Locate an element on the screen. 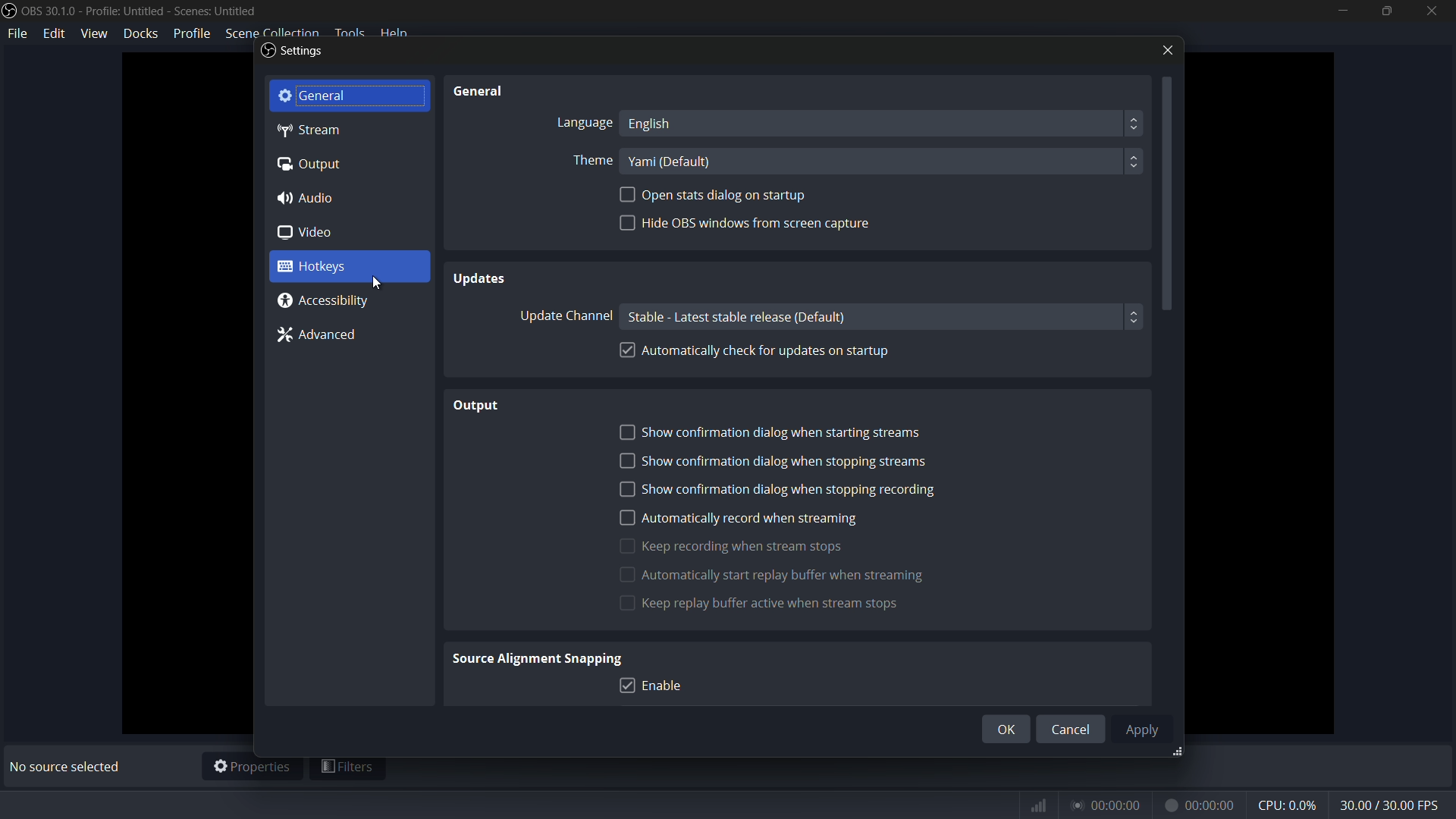 This screenshot has width=1456, height=819. update channel is located at coordinates (736, 318).